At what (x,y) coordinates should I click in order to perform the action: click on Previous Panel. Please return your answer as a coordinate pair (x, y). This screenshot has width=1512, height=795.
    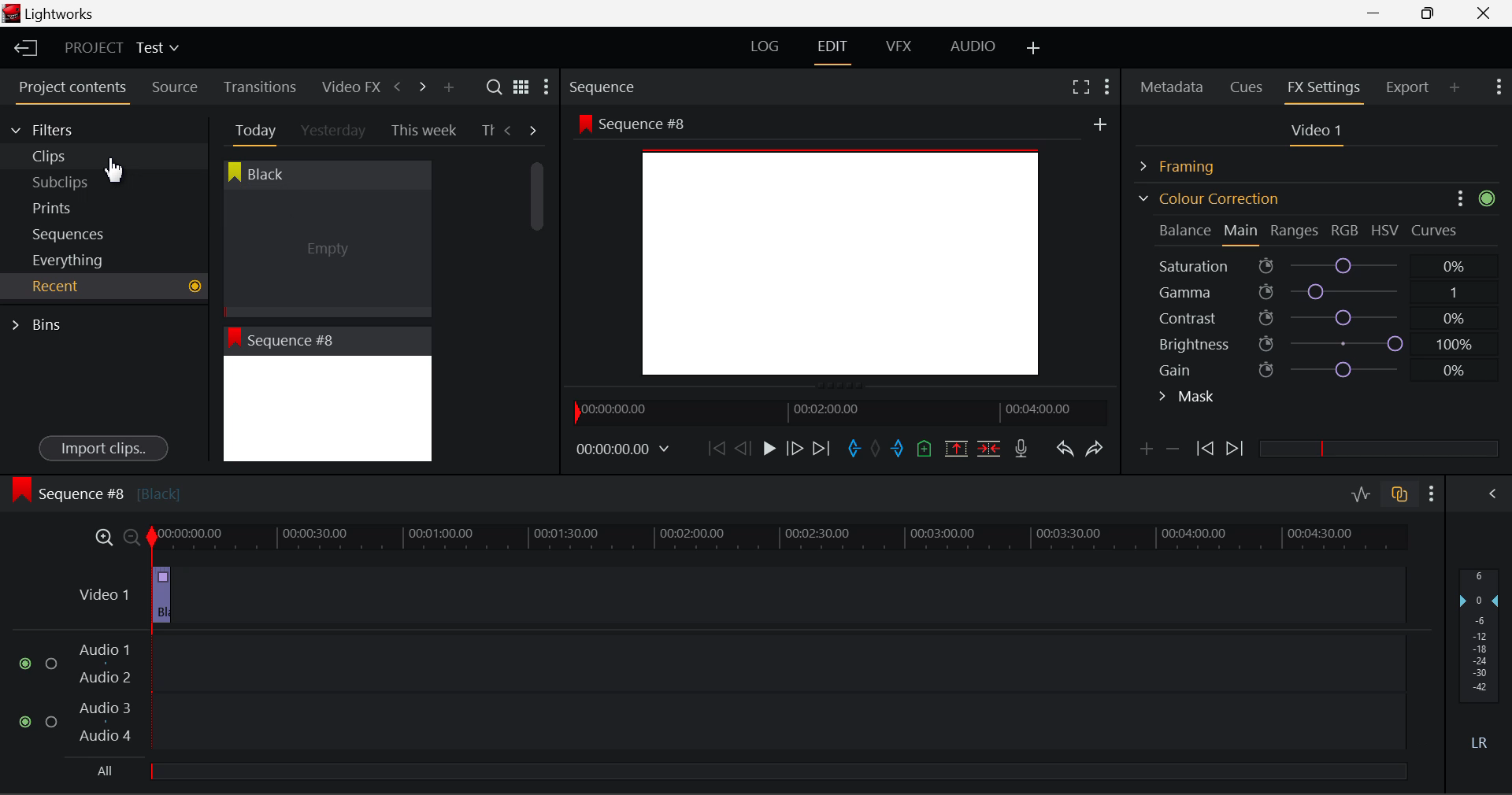
    Looking at the image, I should click on (397, 87).